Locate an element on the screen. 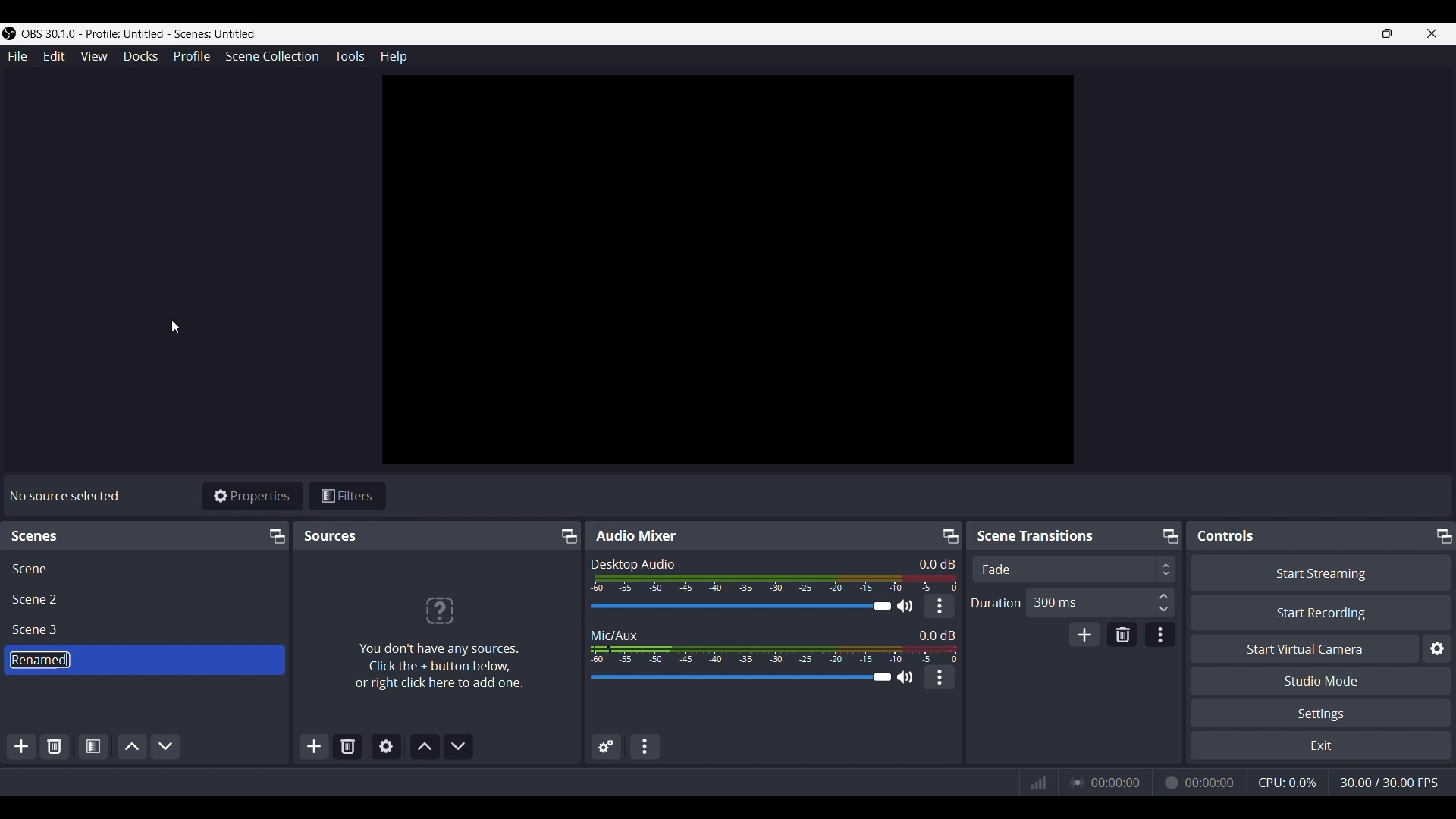 Image resolution: width=1456 pixels, height=819 pixels. add transition is located at coordinates (1084, 634).